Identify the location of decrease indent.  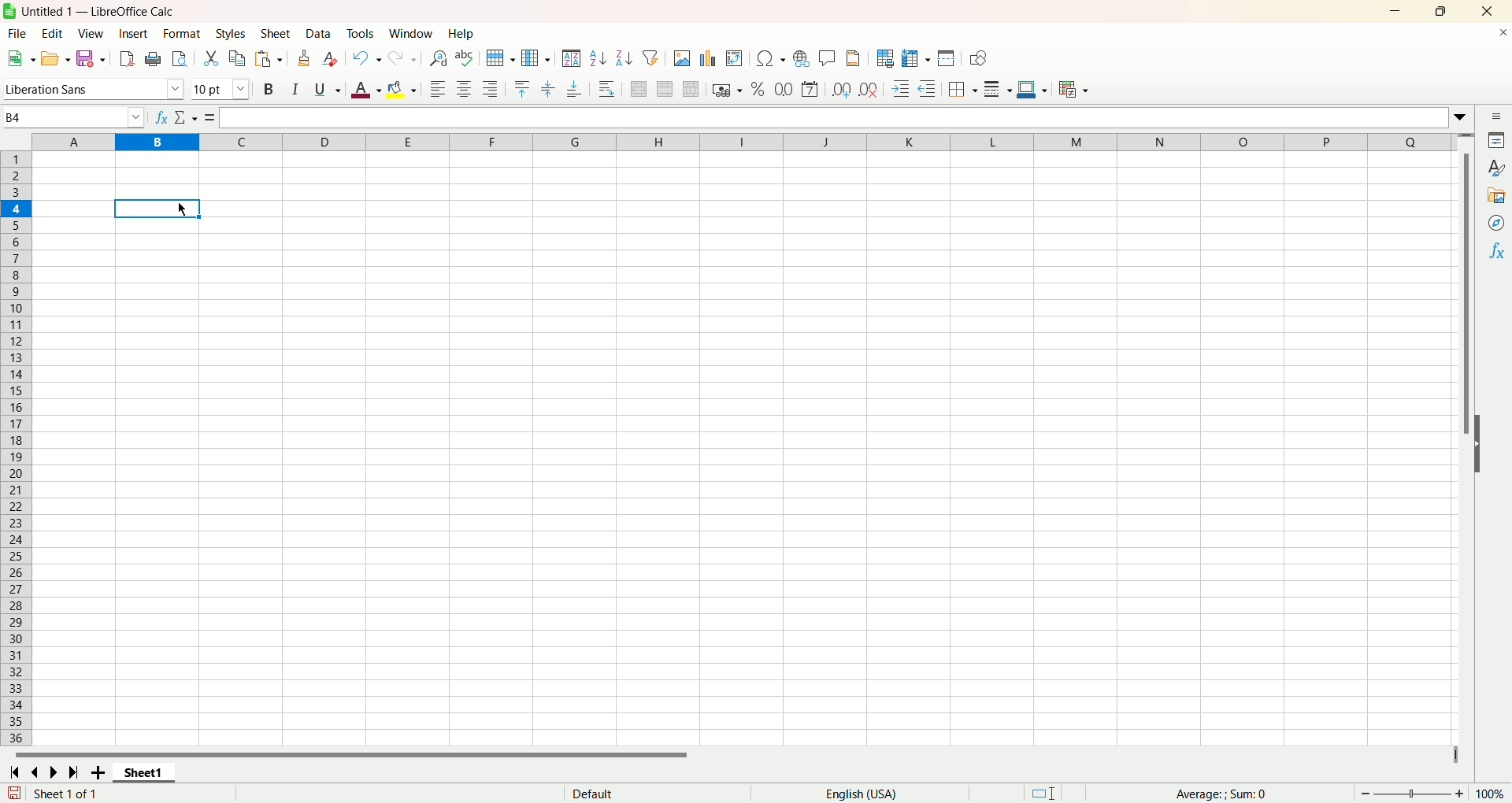
(930, 89).